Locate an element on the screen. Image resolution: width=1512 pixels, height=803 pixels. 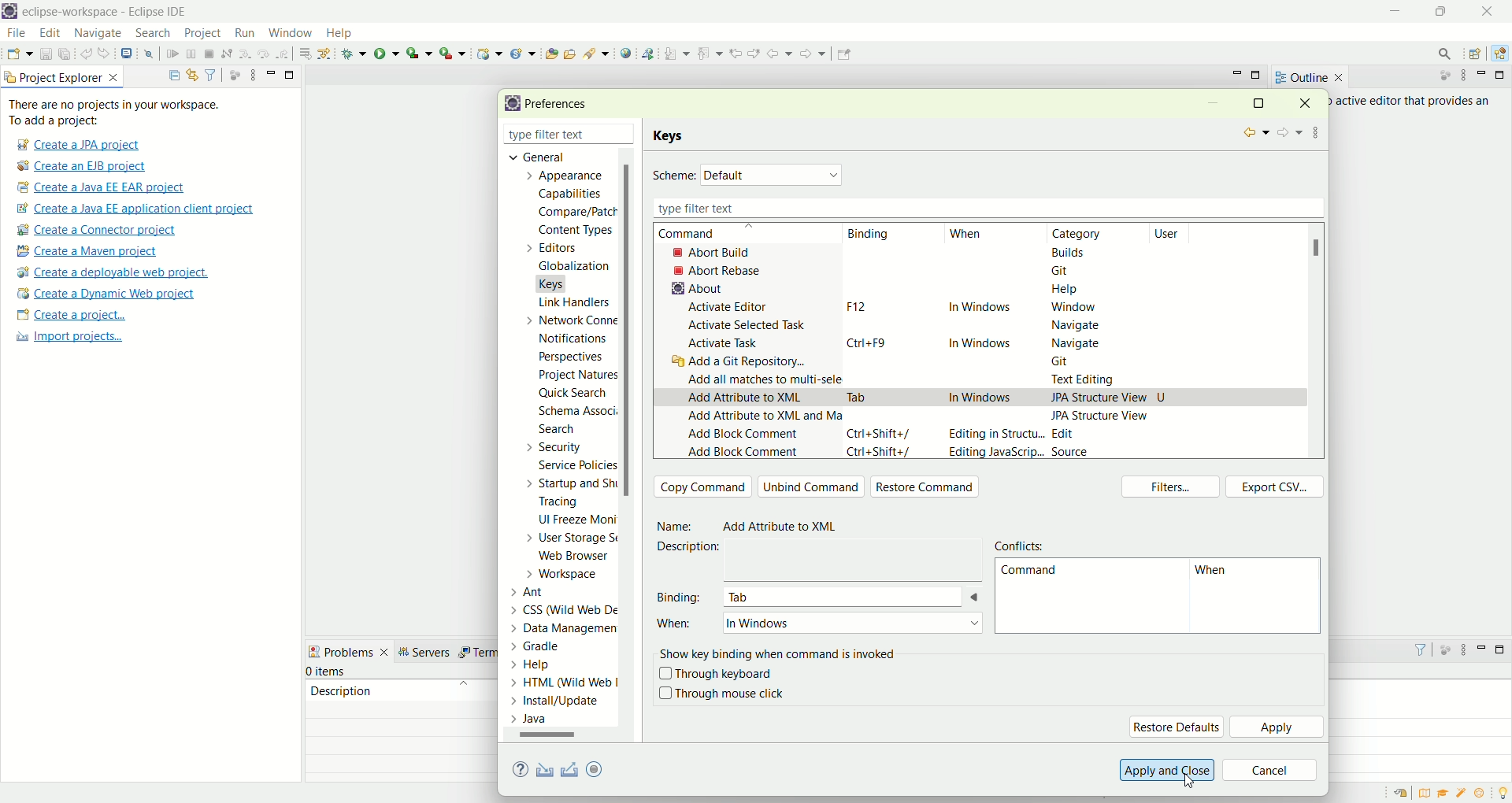
what's new is located at coordinates (1484, 794).